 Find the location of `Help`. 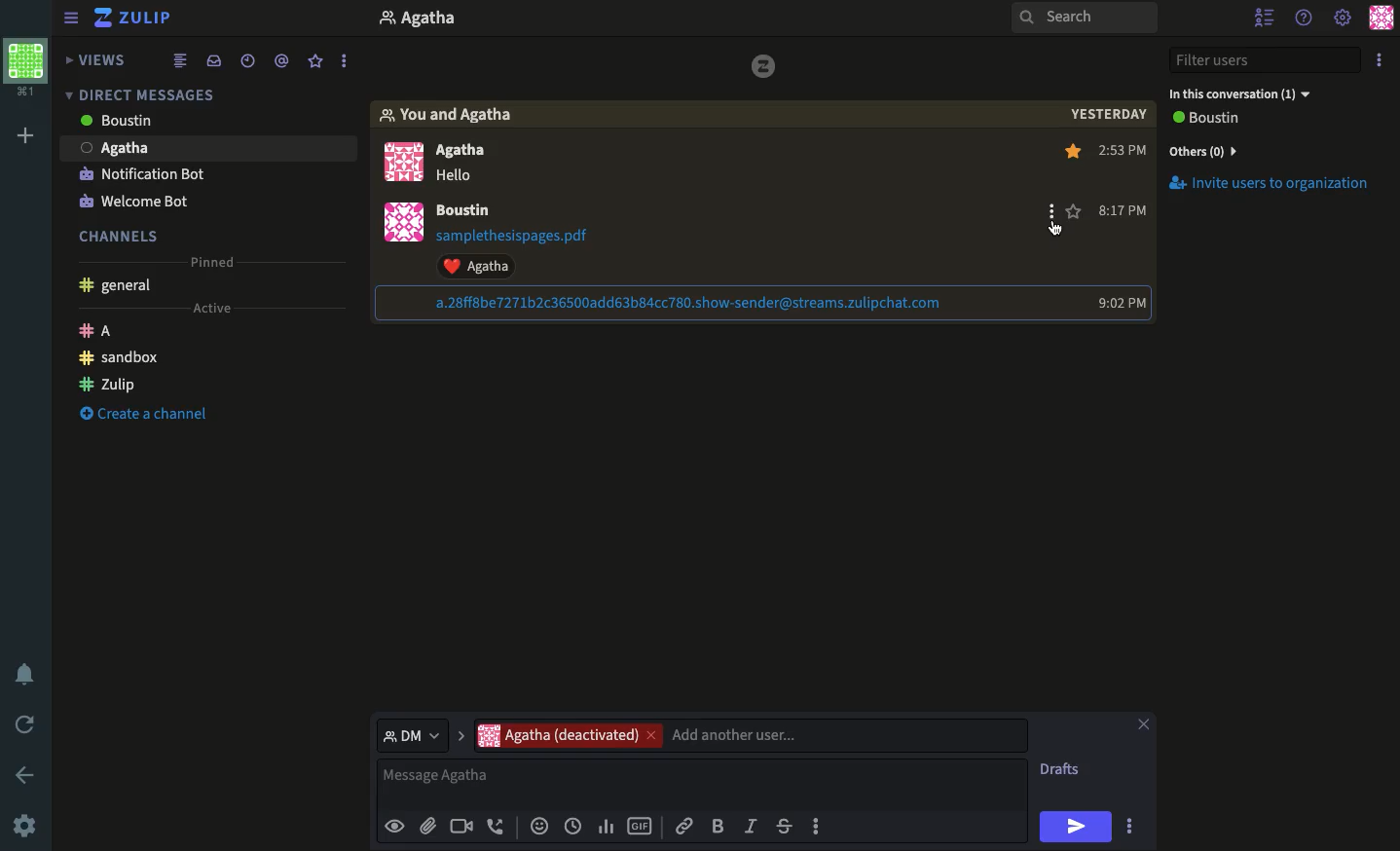

Help is located at coordinates (1303, 18).